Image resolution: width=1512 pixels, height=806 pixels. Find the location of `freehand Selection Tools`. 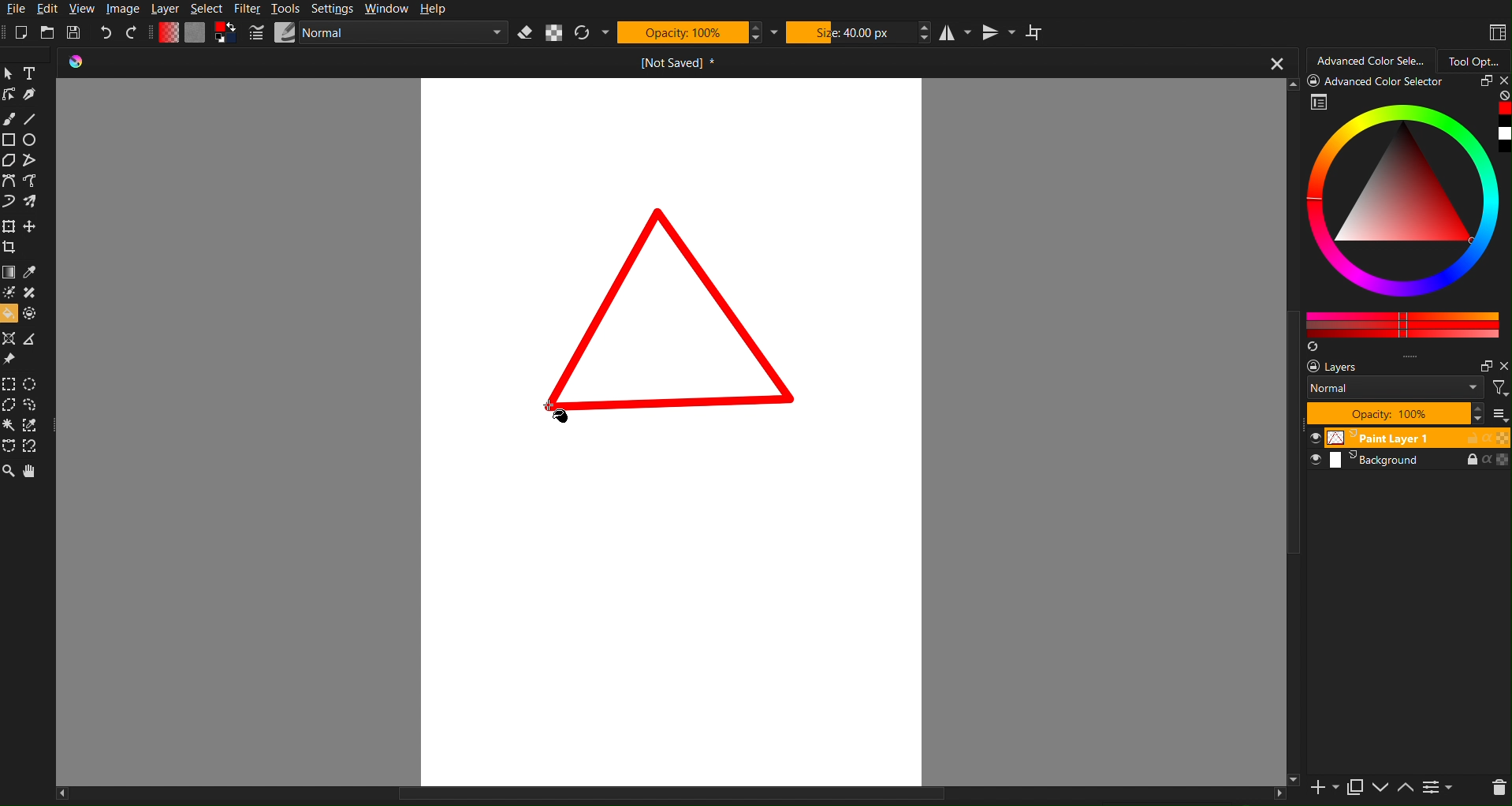

freehand Selection Tools is located at coordinates (36, 405).